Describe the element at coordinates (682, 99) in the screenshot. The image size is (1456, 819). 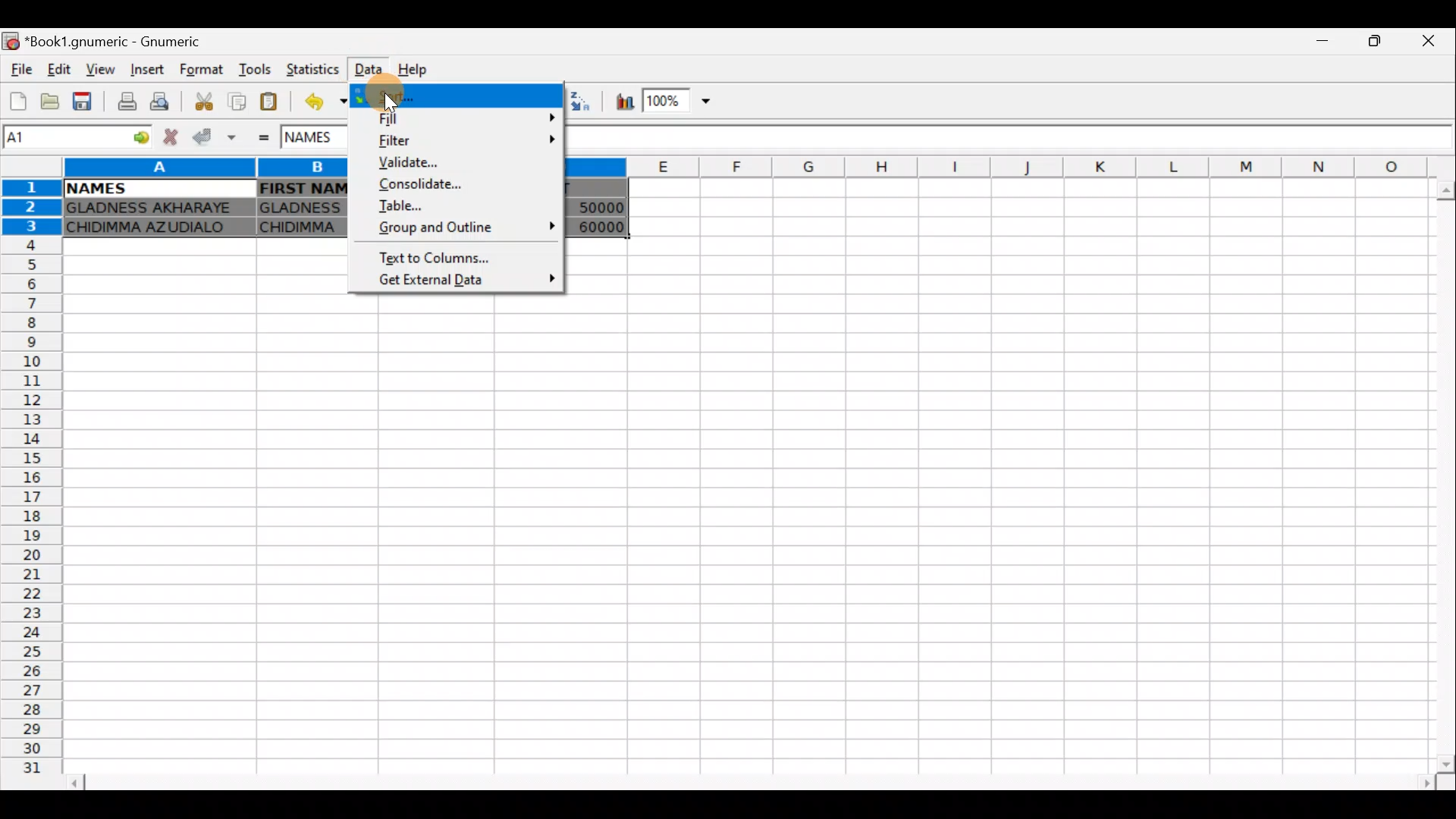
I see `Zoom` at that location.